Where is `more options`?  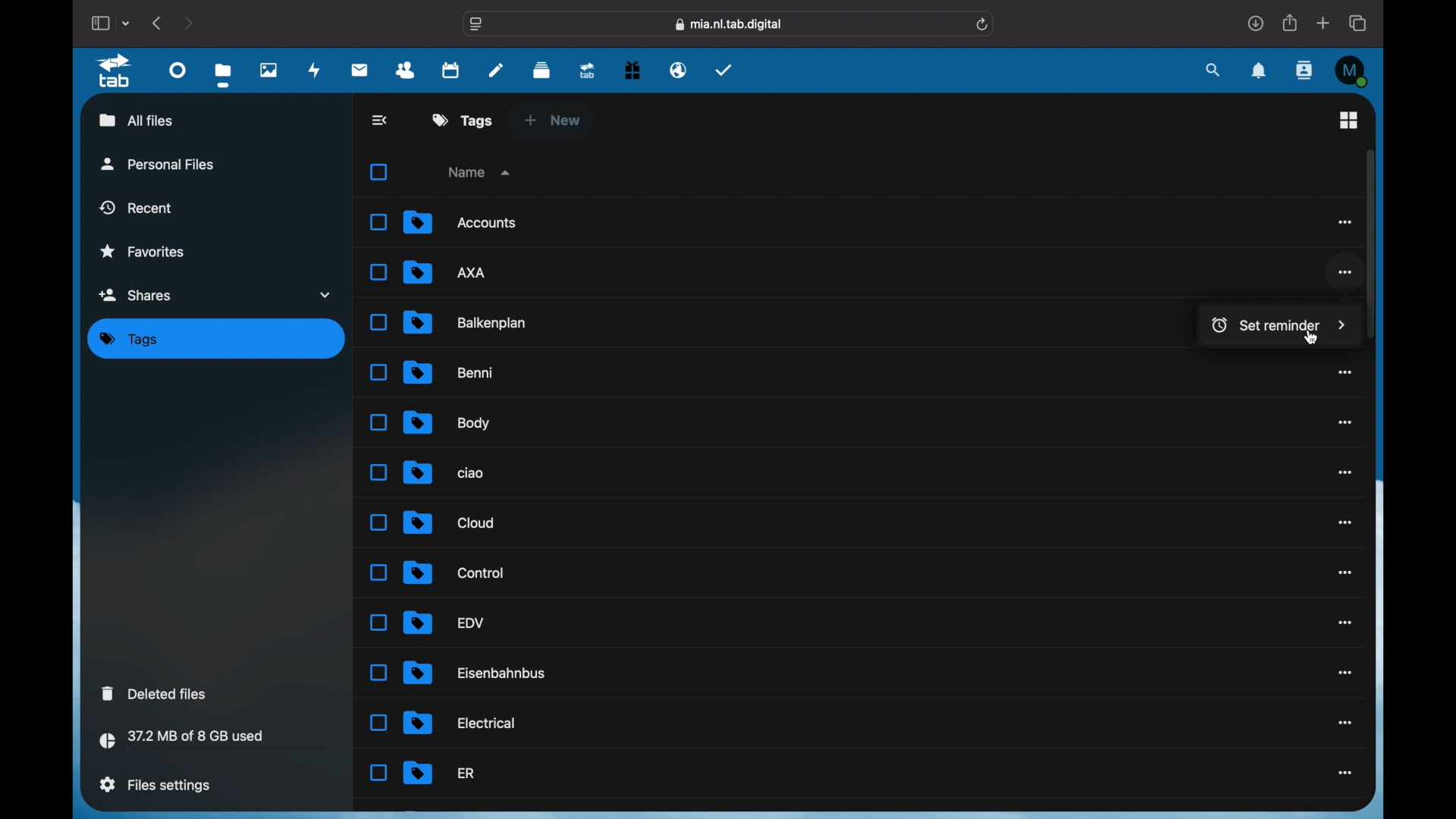 more options is located at coordinates (1346, 371).